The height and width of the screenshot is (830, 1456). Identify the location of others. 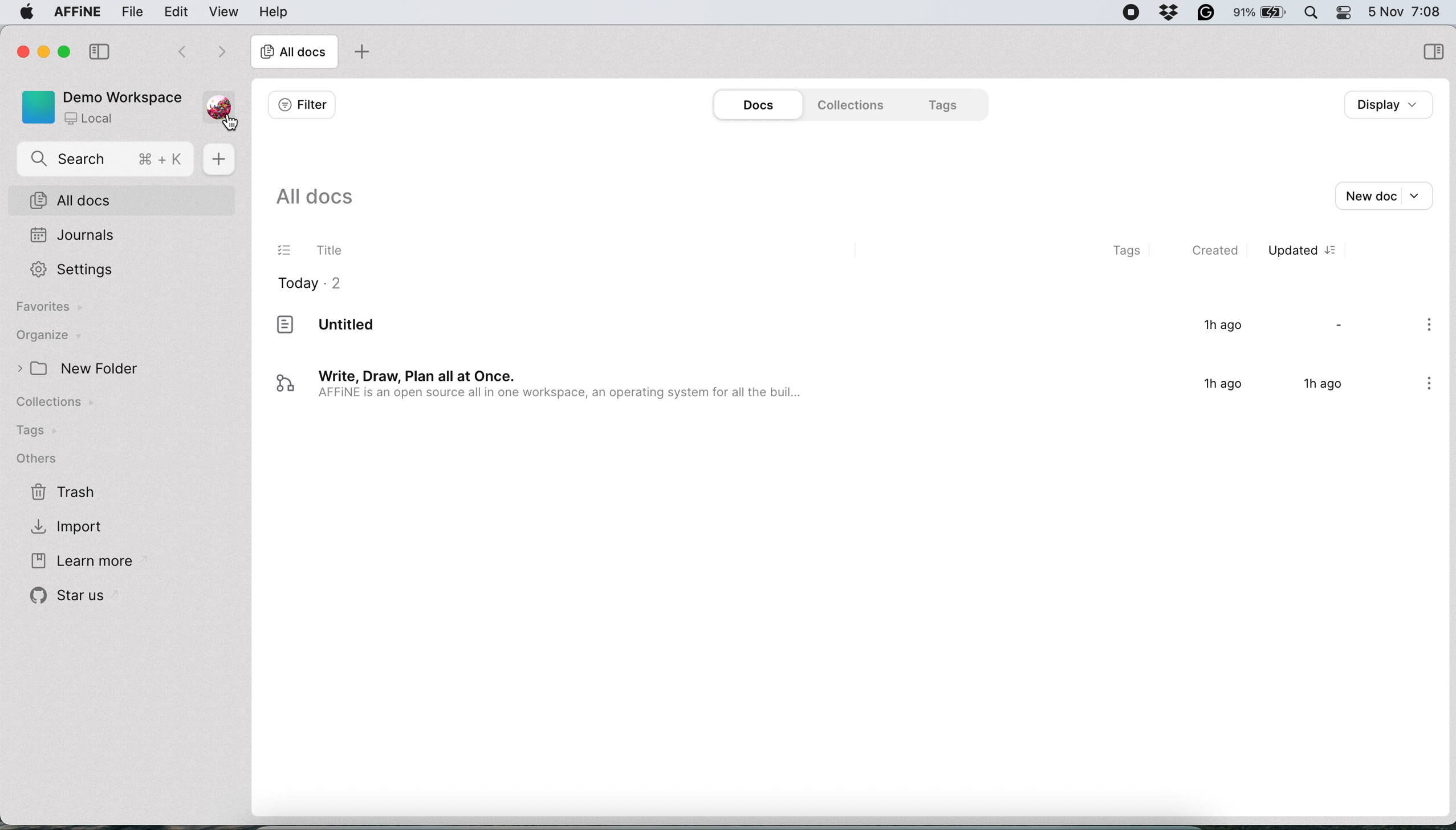
(46, 458).